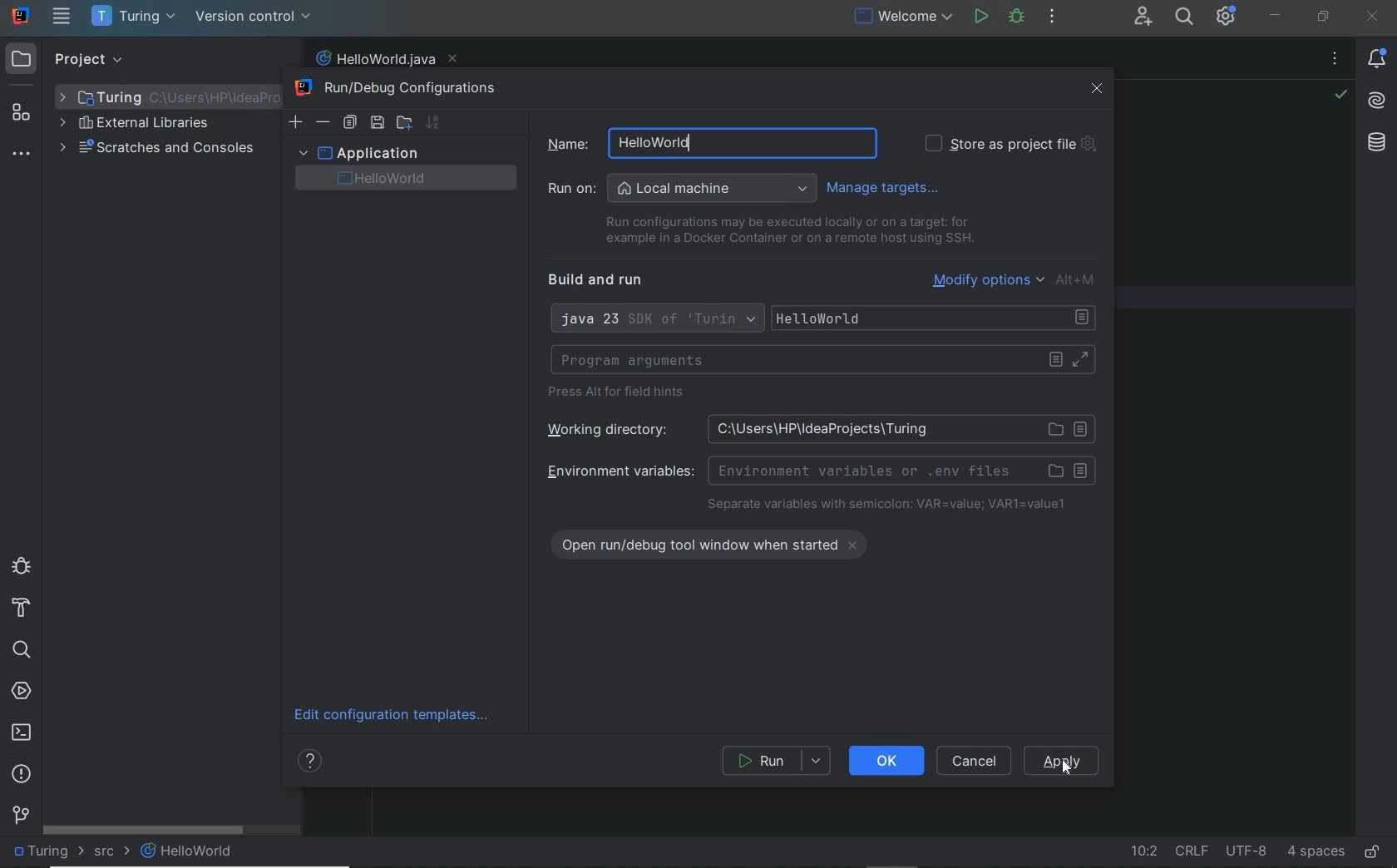  What do you see at coordinates (402, 89) in the screenshot?
I see `RUN/DEBUG CONFIGURATIONS` at bounding box center [402, 89].